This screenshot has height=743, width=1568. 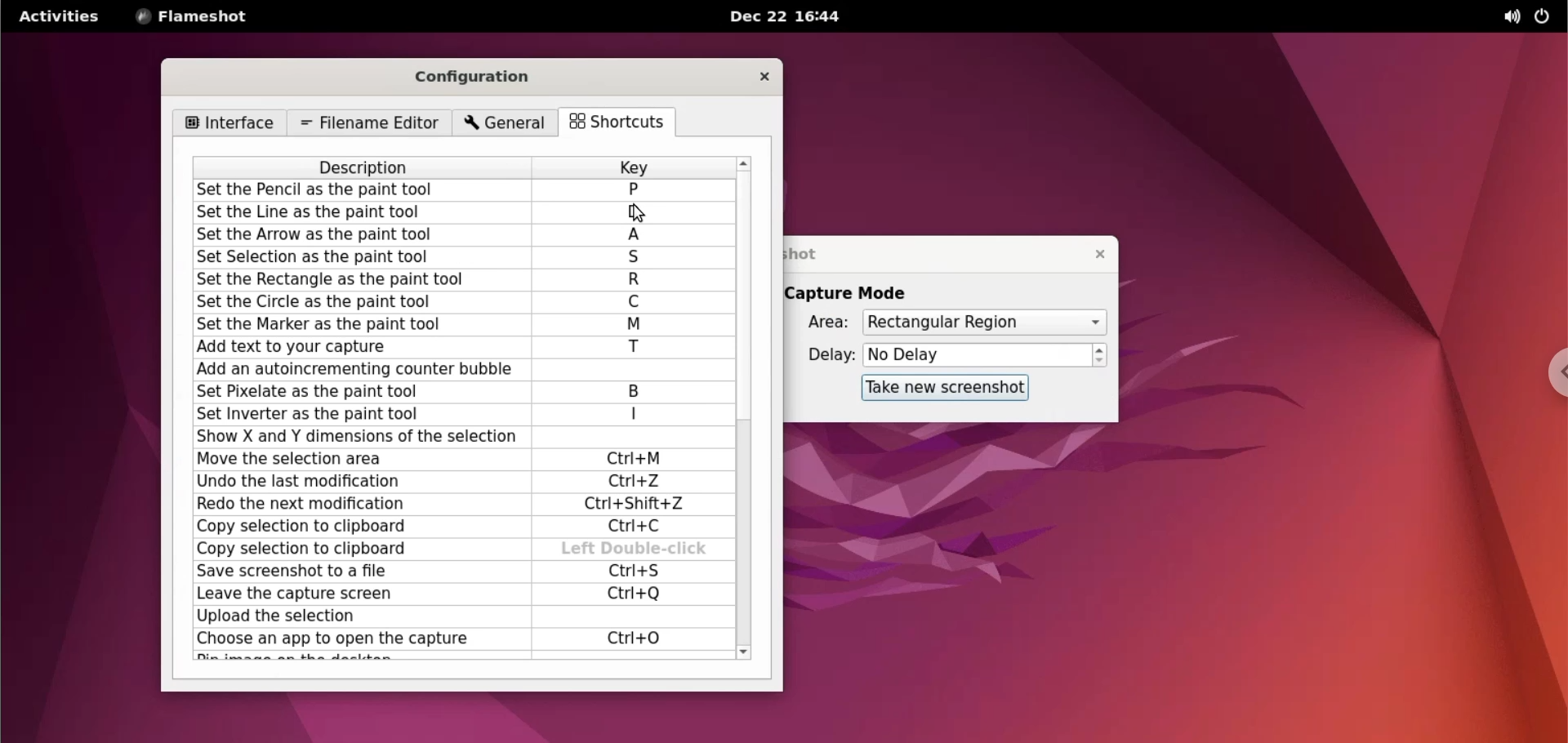 What do you see at coordinates (356, 640) in the screenshot?
I see `choose an app to open the capture` at bounding box center [356, 640].